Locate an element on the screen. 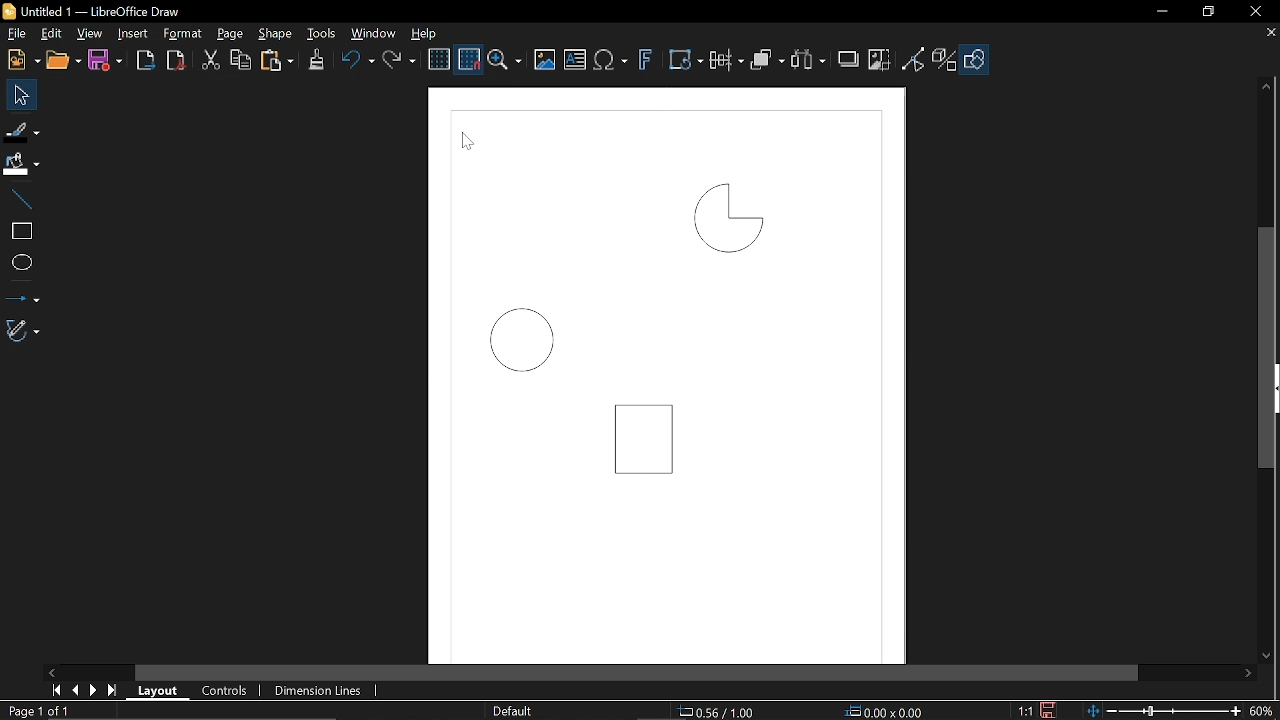 Image resolution: width=1280 pixels, height=720 pixels. Open is located at coordinates (62, 61).